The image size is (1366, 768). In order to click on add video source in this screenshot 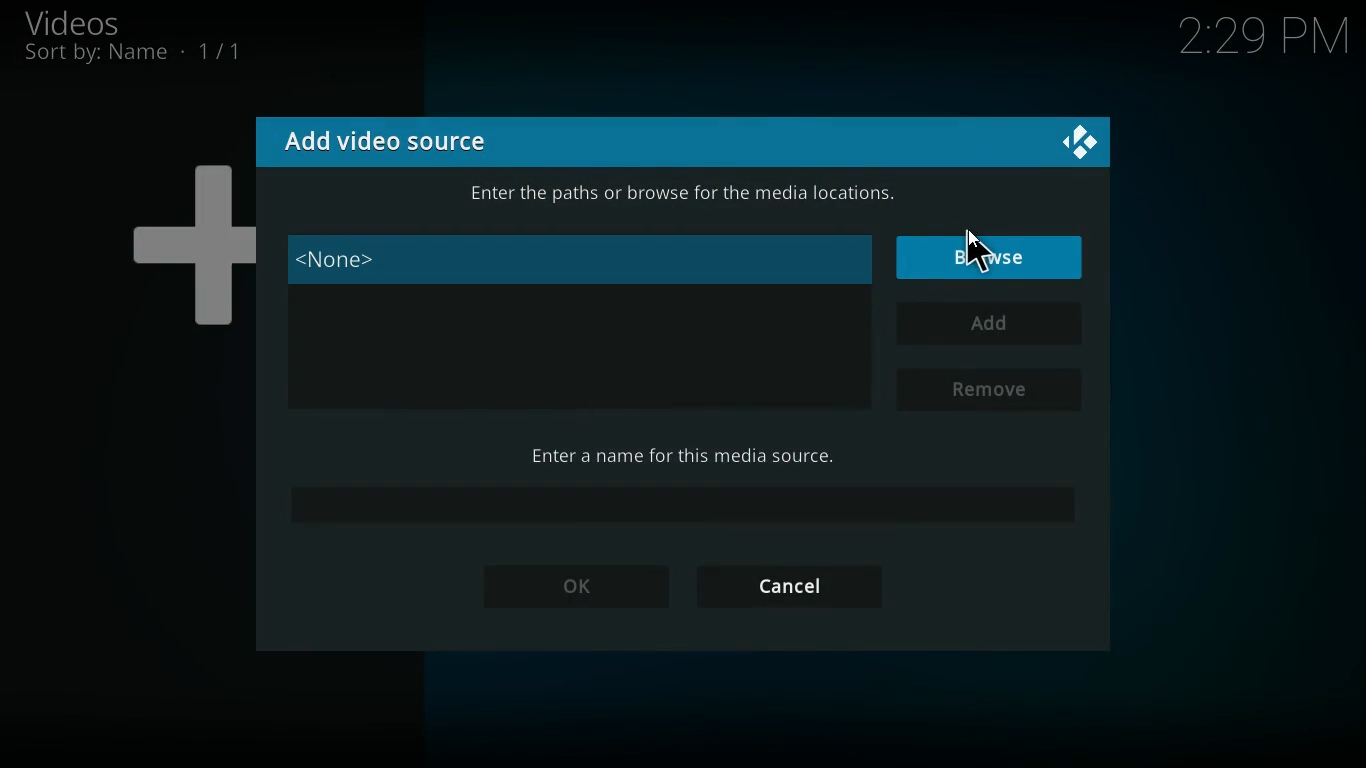, I will do `click(398, 140)`.